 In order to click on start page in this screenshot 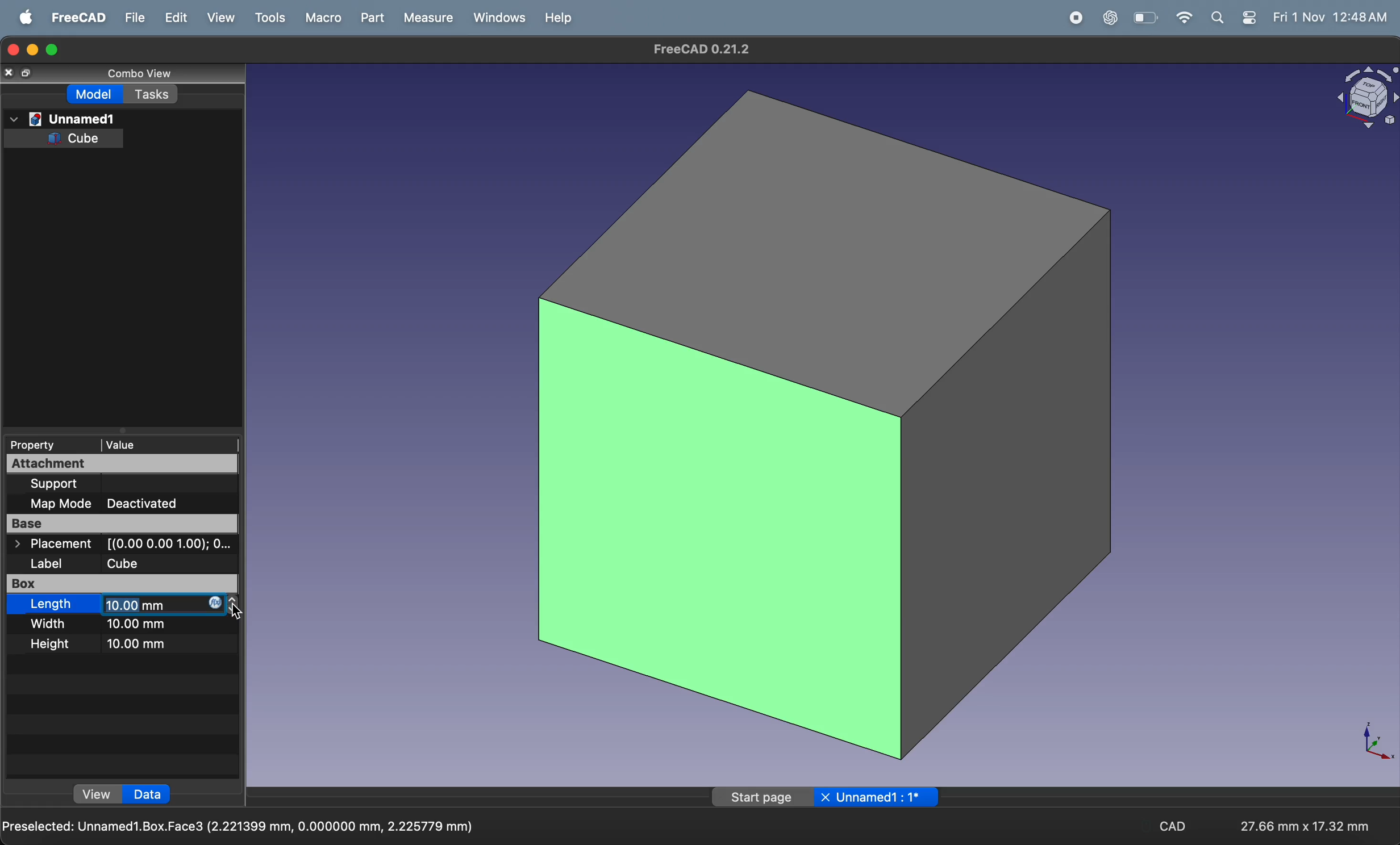, I will do `click(760, 798)`.